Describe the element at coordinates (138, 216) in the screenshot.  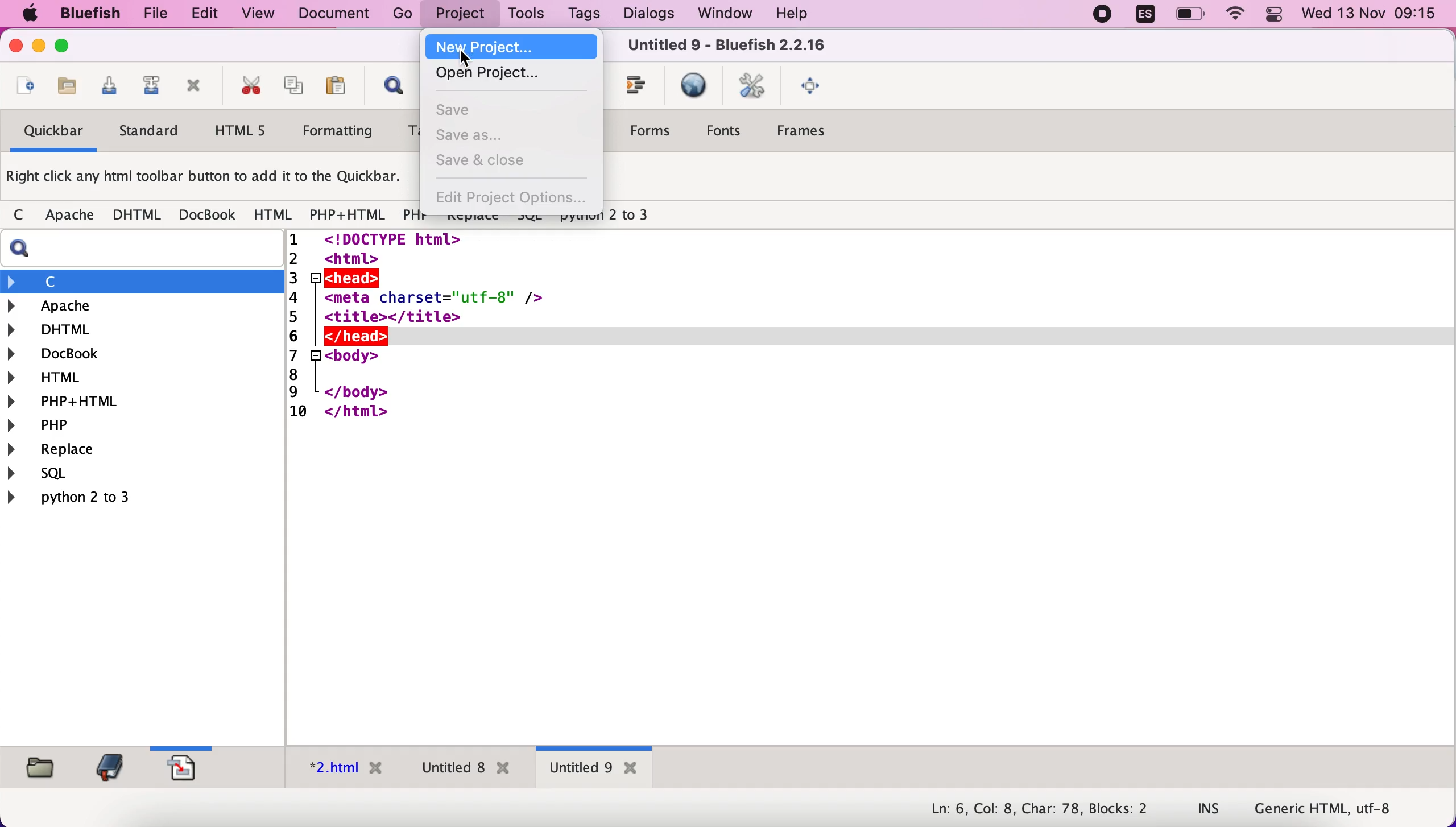
I see `dhtml` at that location.